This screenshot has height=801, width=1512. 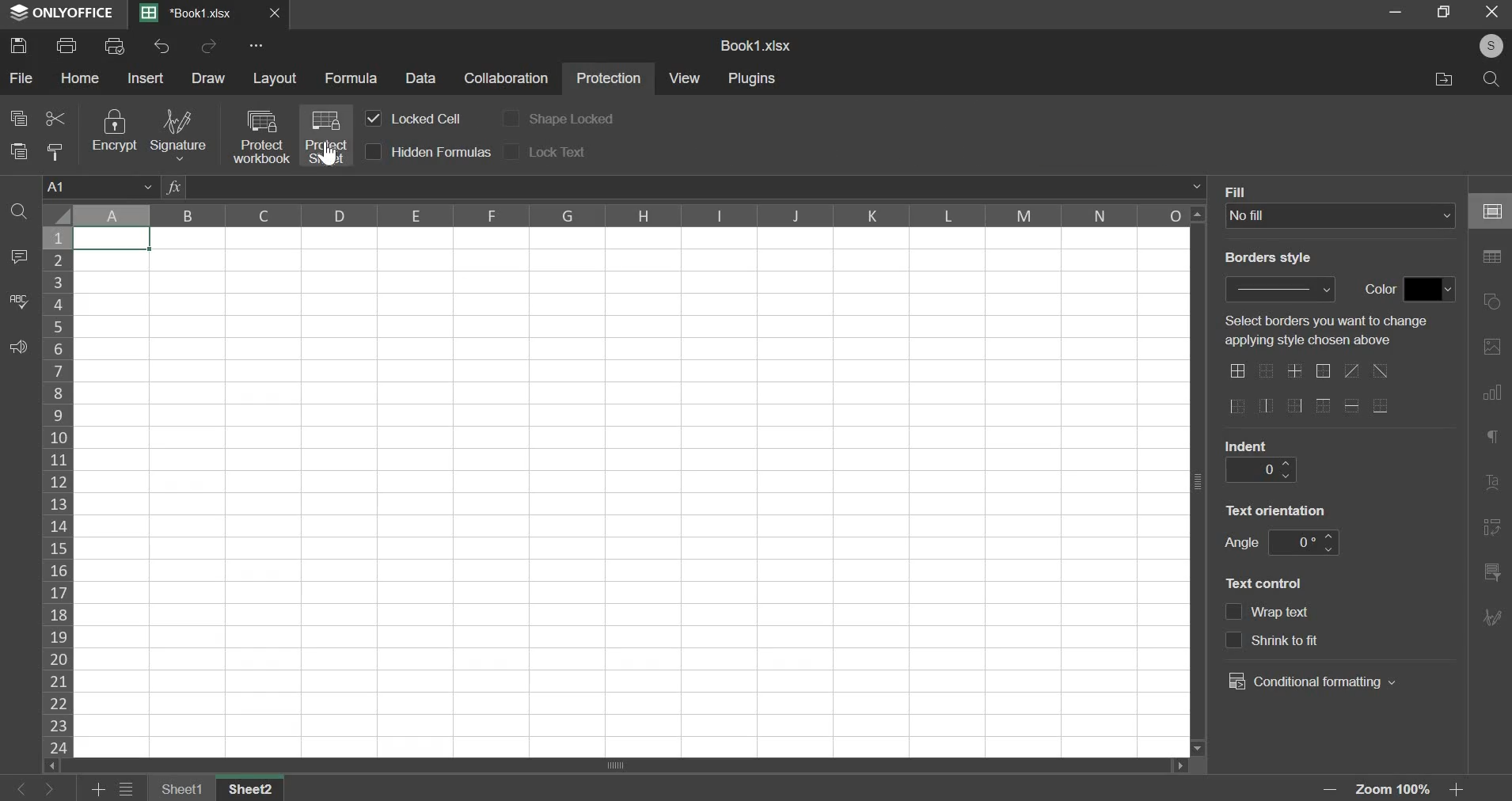 What do you see at coordinates (1266, 406) in the screenshot?
I see `border options` at bounding box center [1266, 406].